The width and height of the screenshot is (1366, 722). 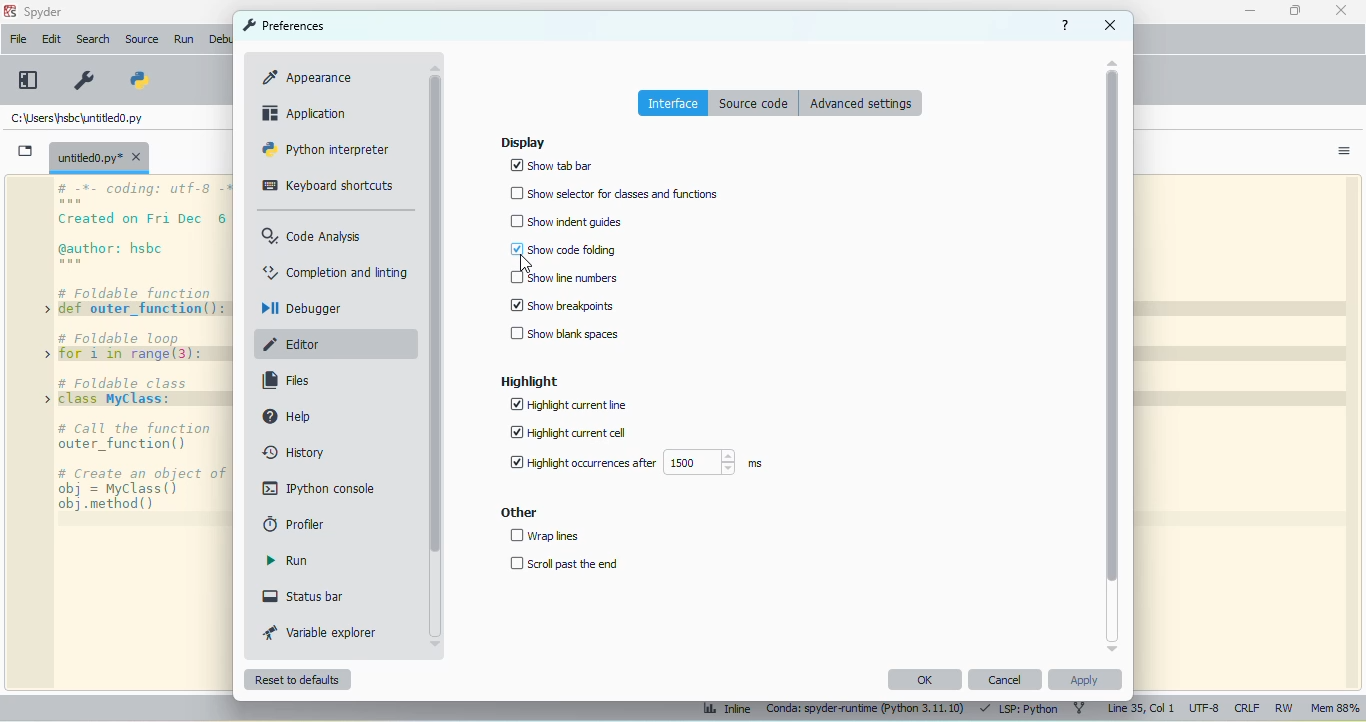 I want to click on source, so click(x=141, y=39).